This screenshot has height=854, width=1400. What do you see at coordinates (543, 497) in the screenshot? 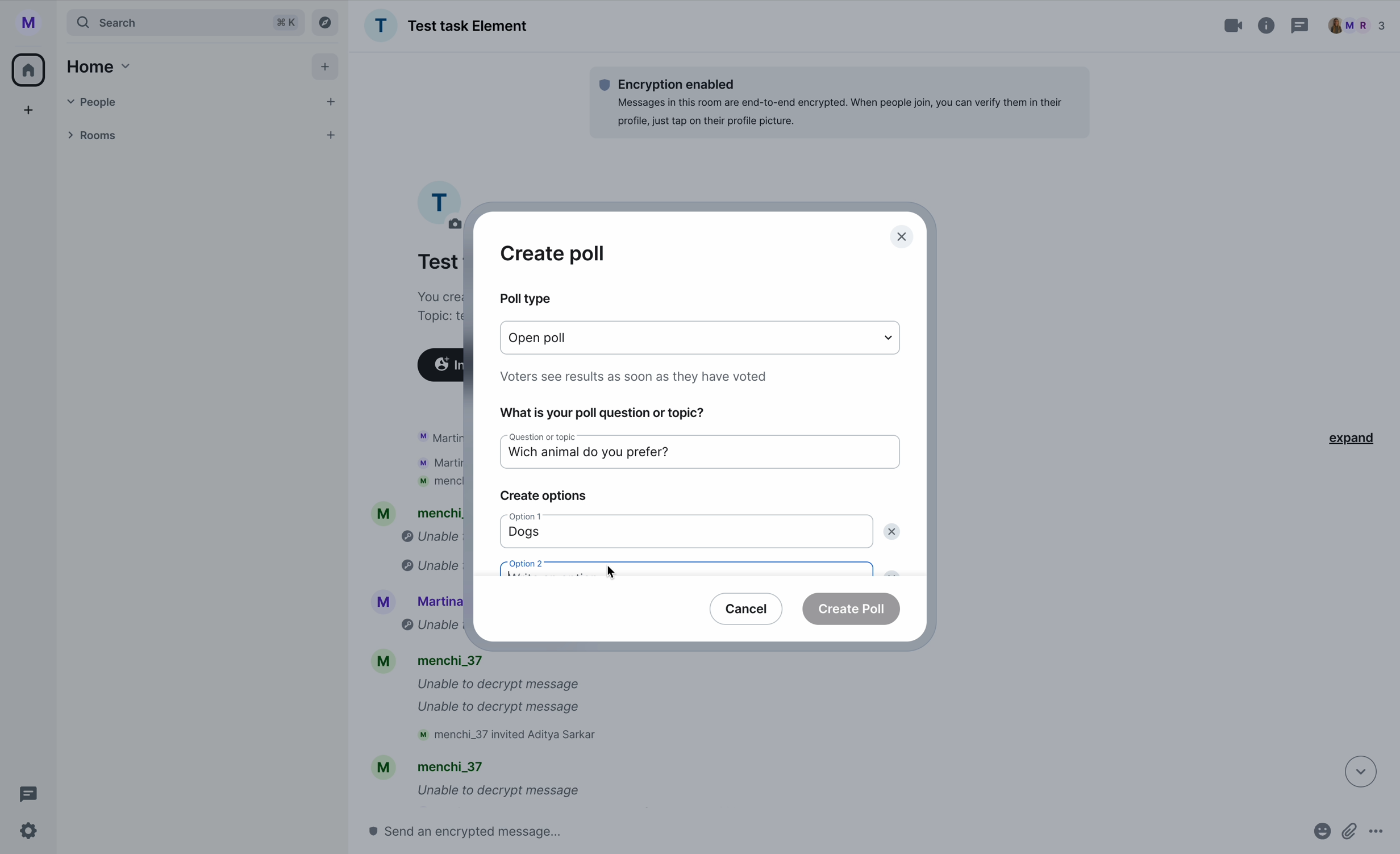
I see `create options` at bounding box center [543, 497].